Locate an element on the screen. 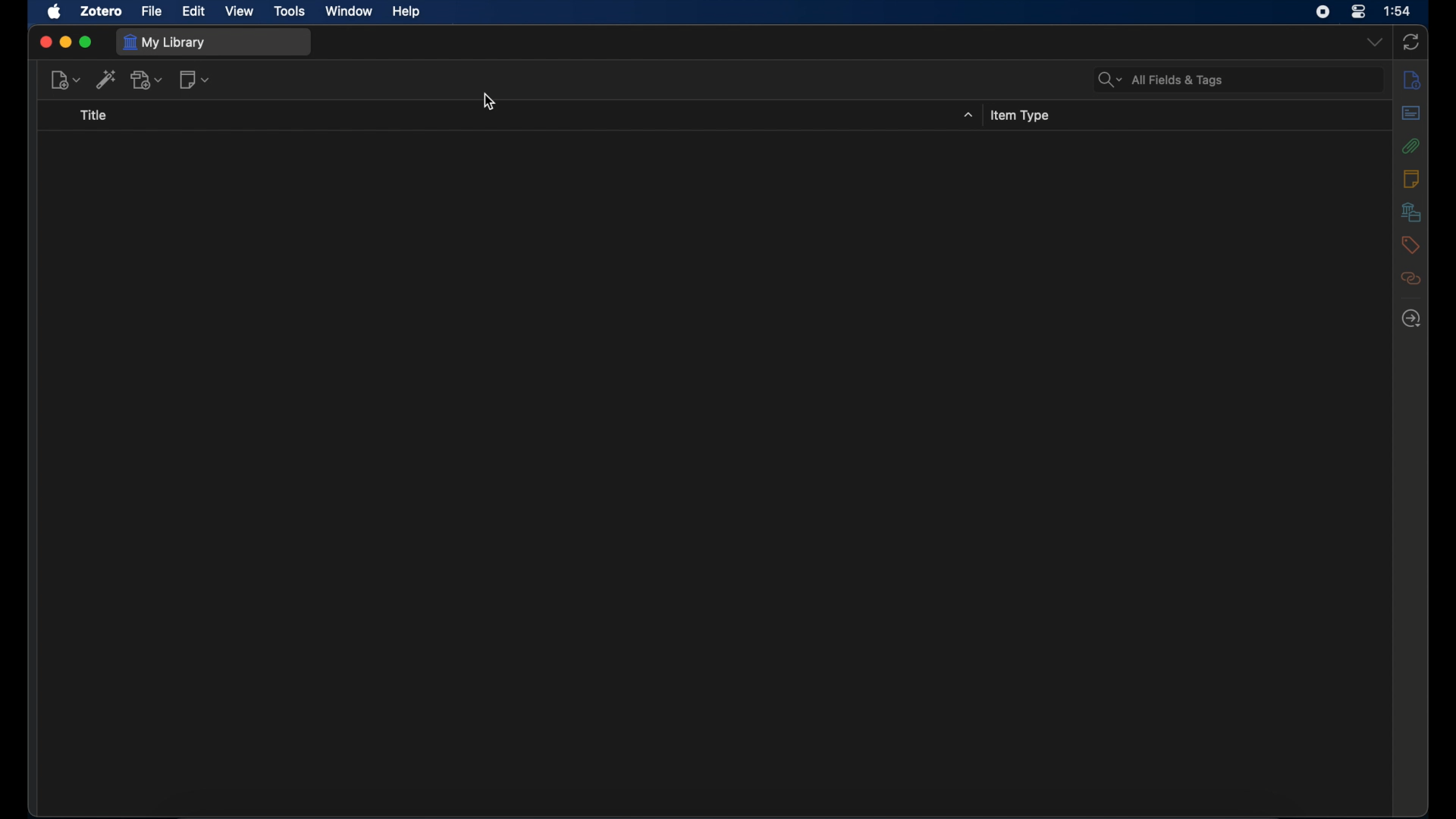 The image size is (1456, 819). help is located at coordinates (406, 11).